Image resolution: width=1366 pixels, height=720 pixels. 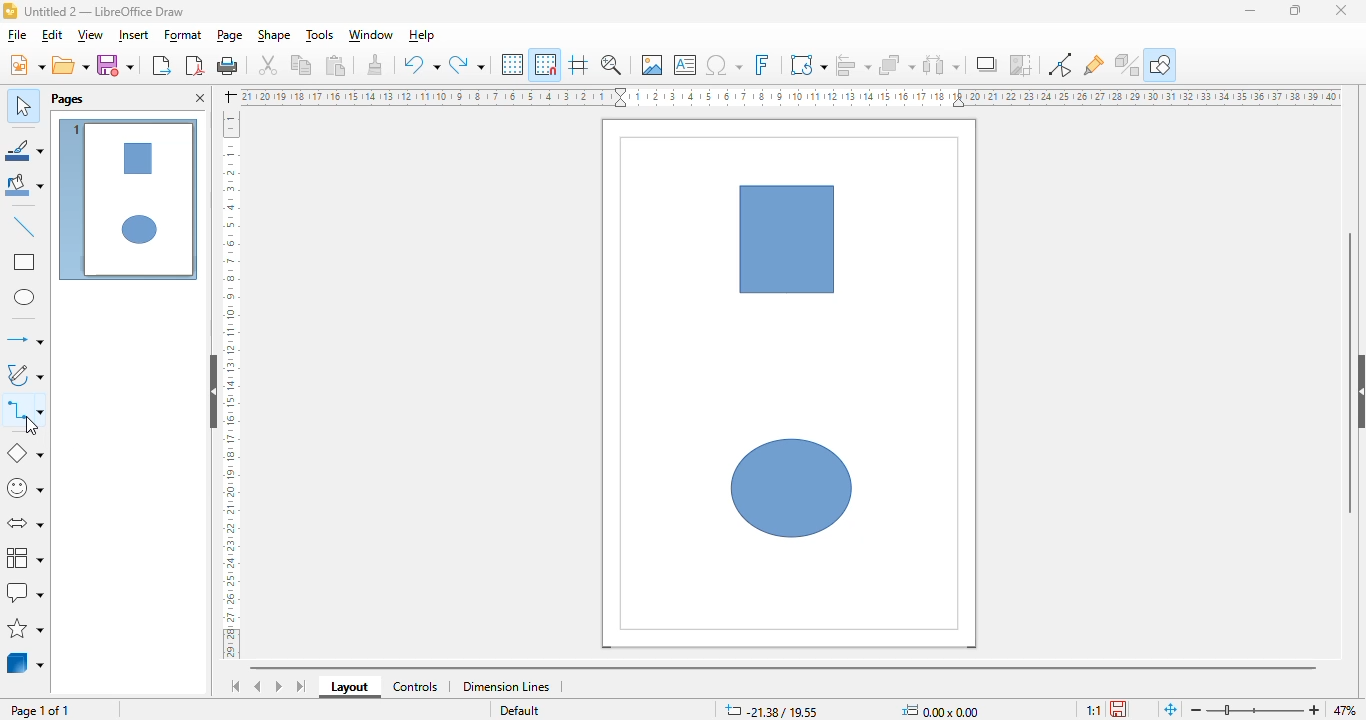 What do you see at coordinates (506, 686) in the screenshot?
I see `dimension lines` at bounding box center [506, 686].